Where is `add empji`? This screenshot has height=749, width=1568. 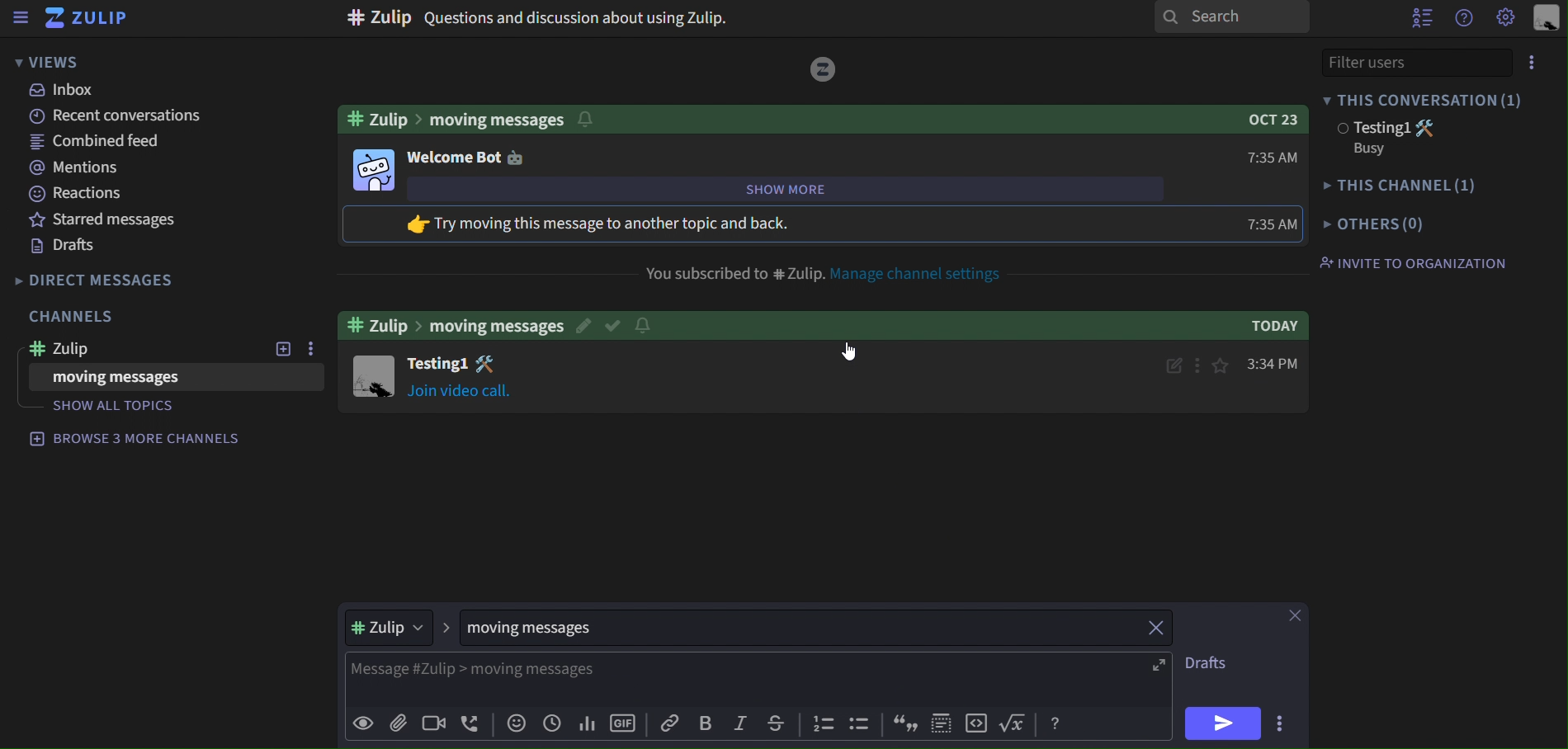
add empji is located at coordinates (514, 726).